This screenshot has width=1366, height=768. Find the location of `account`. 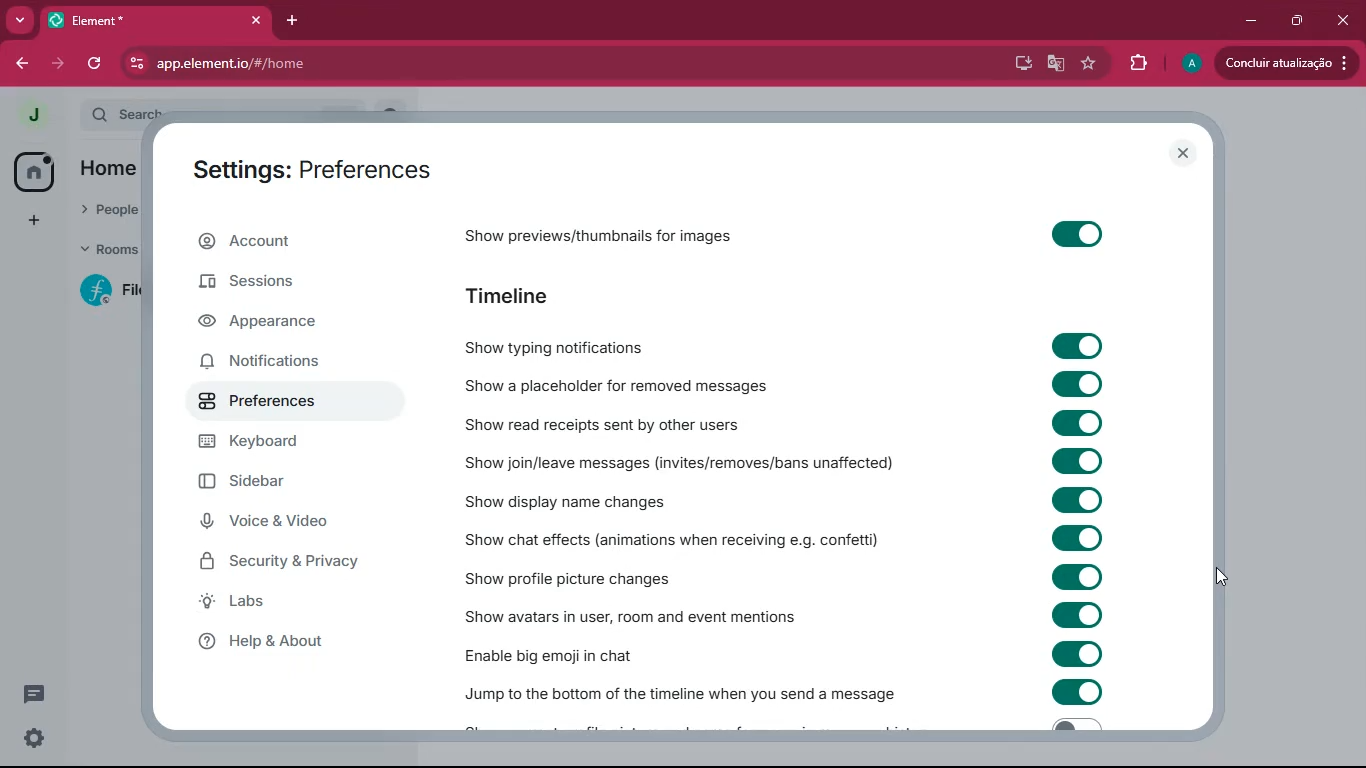

account is located at coordinates (290, 244).